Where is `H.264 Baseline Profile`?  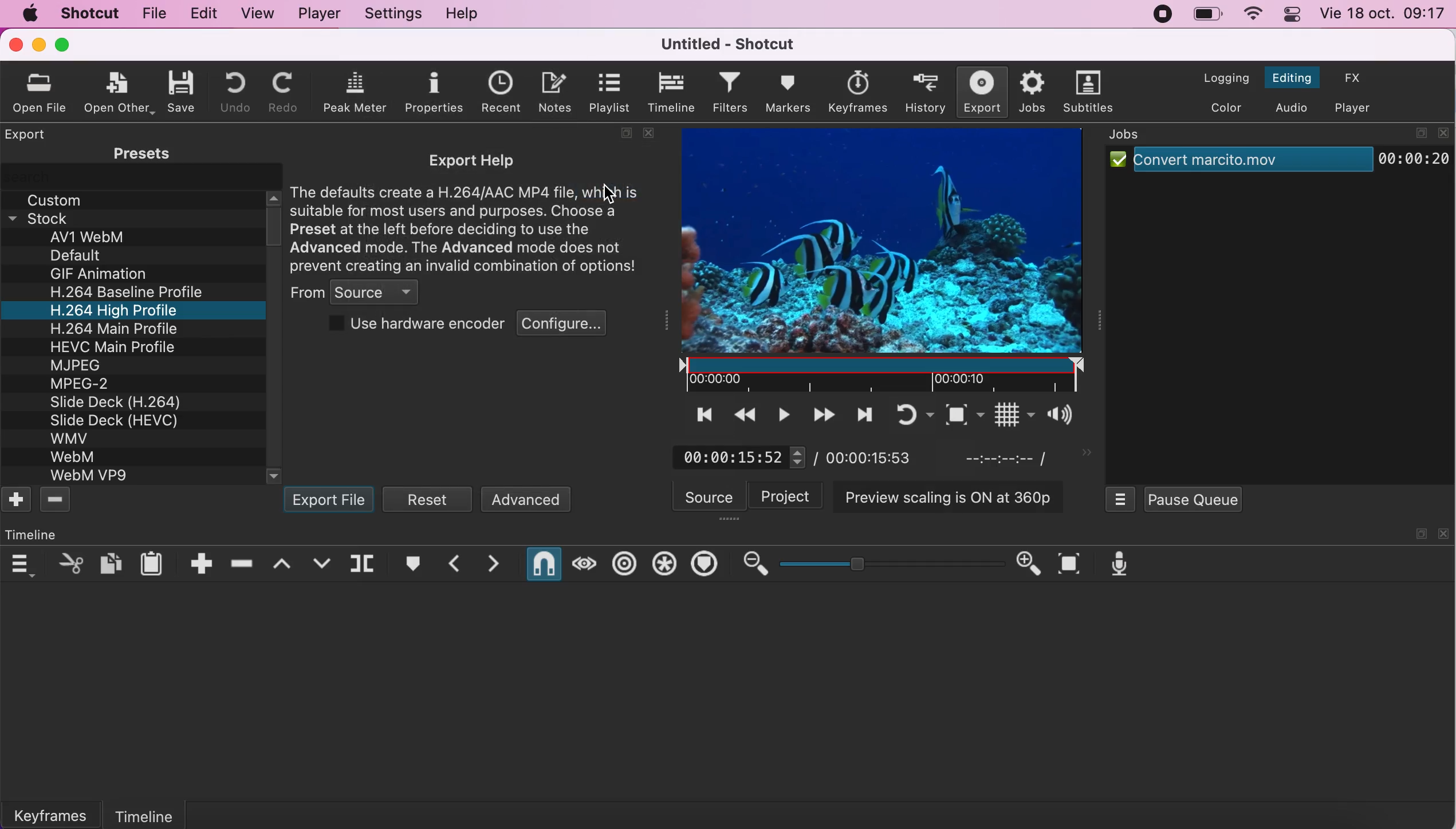
H.264 Baseline Profile is located at coordinates (132, 292).